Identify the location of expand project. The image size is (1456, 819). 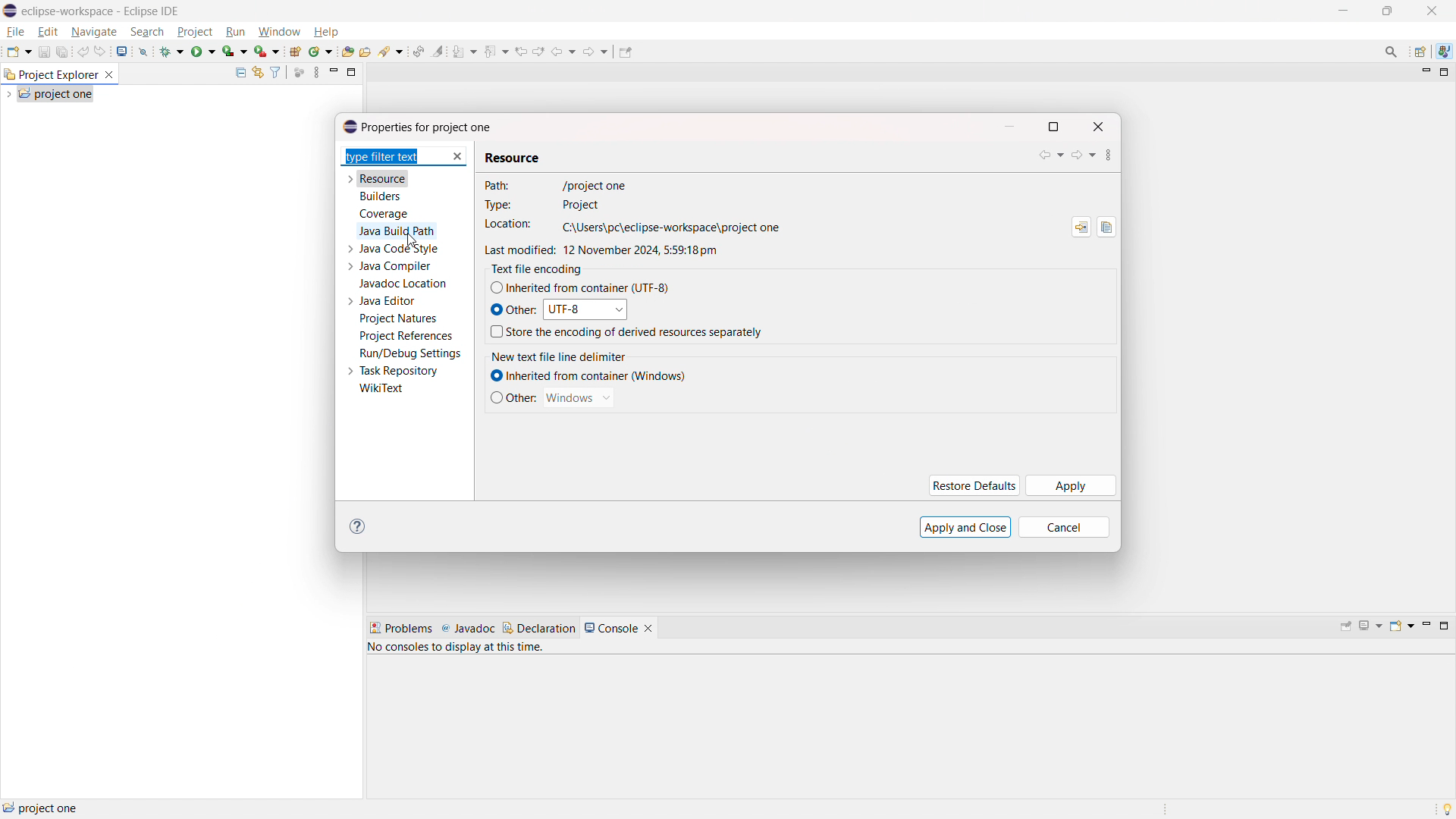
(9, 94).